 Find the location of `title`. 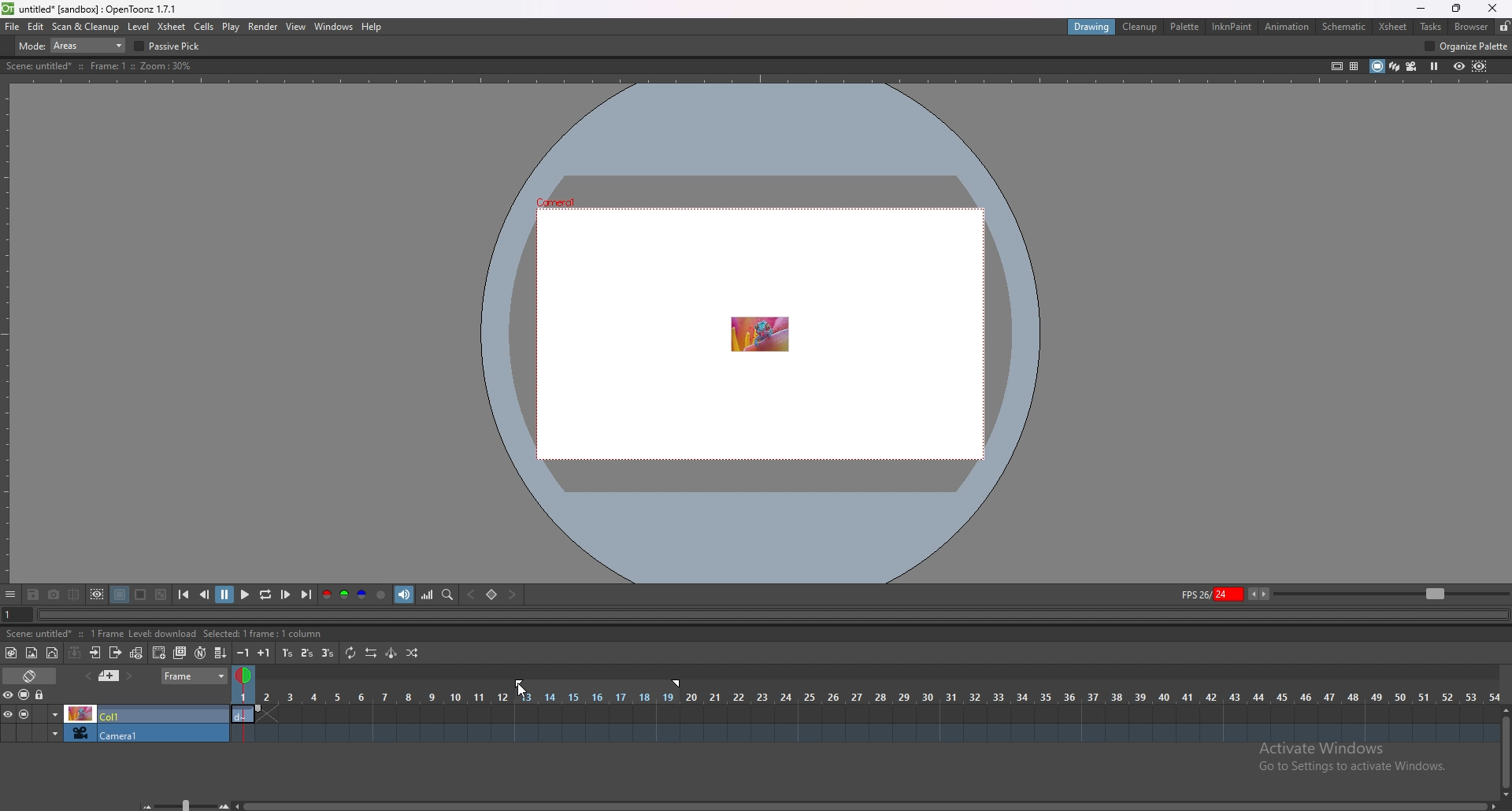

title is located at coordinates (92, 9).